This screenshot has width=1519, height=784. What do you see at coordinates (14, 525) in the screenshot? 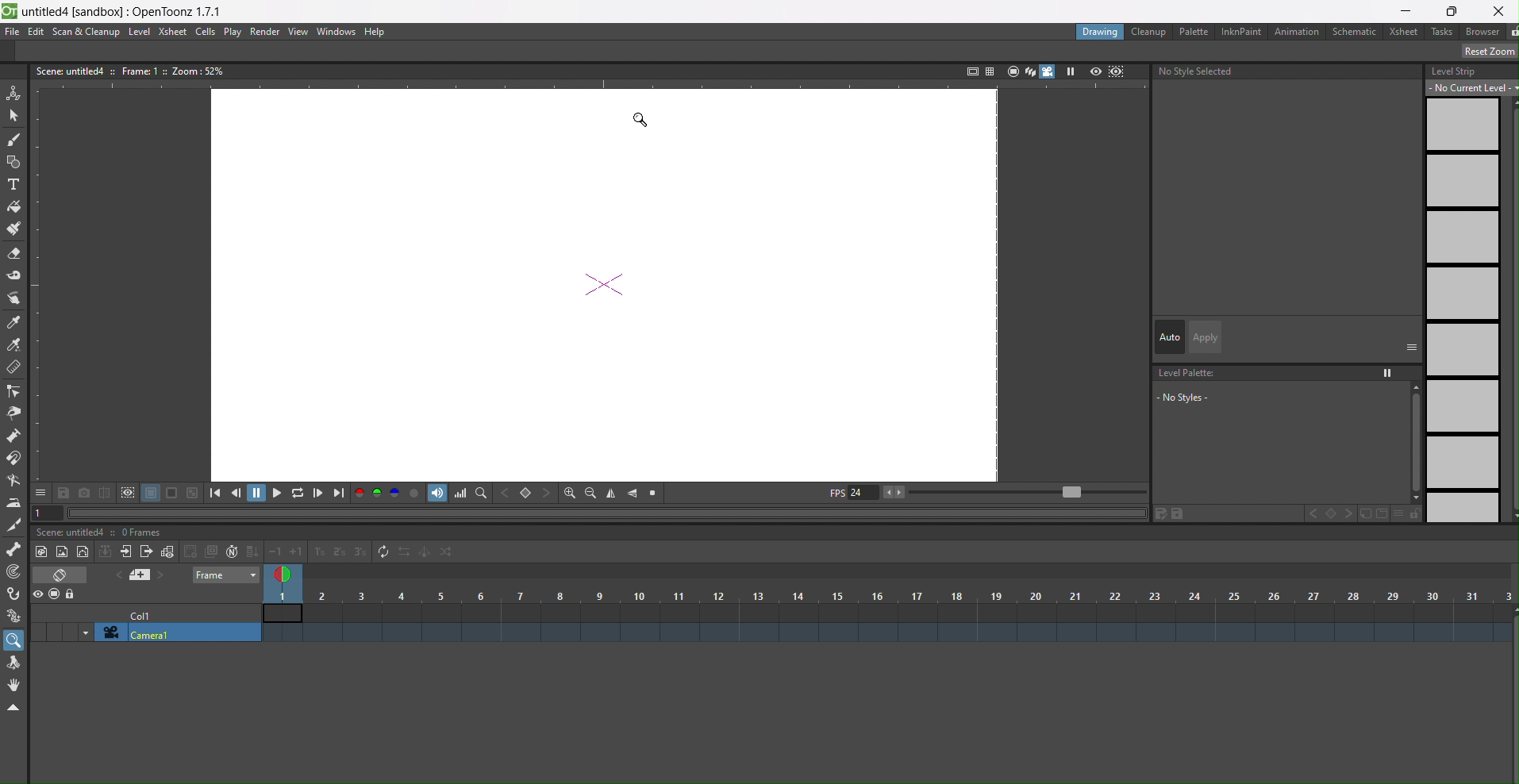
I see `cutter tool` at bounding box center [14, 525].